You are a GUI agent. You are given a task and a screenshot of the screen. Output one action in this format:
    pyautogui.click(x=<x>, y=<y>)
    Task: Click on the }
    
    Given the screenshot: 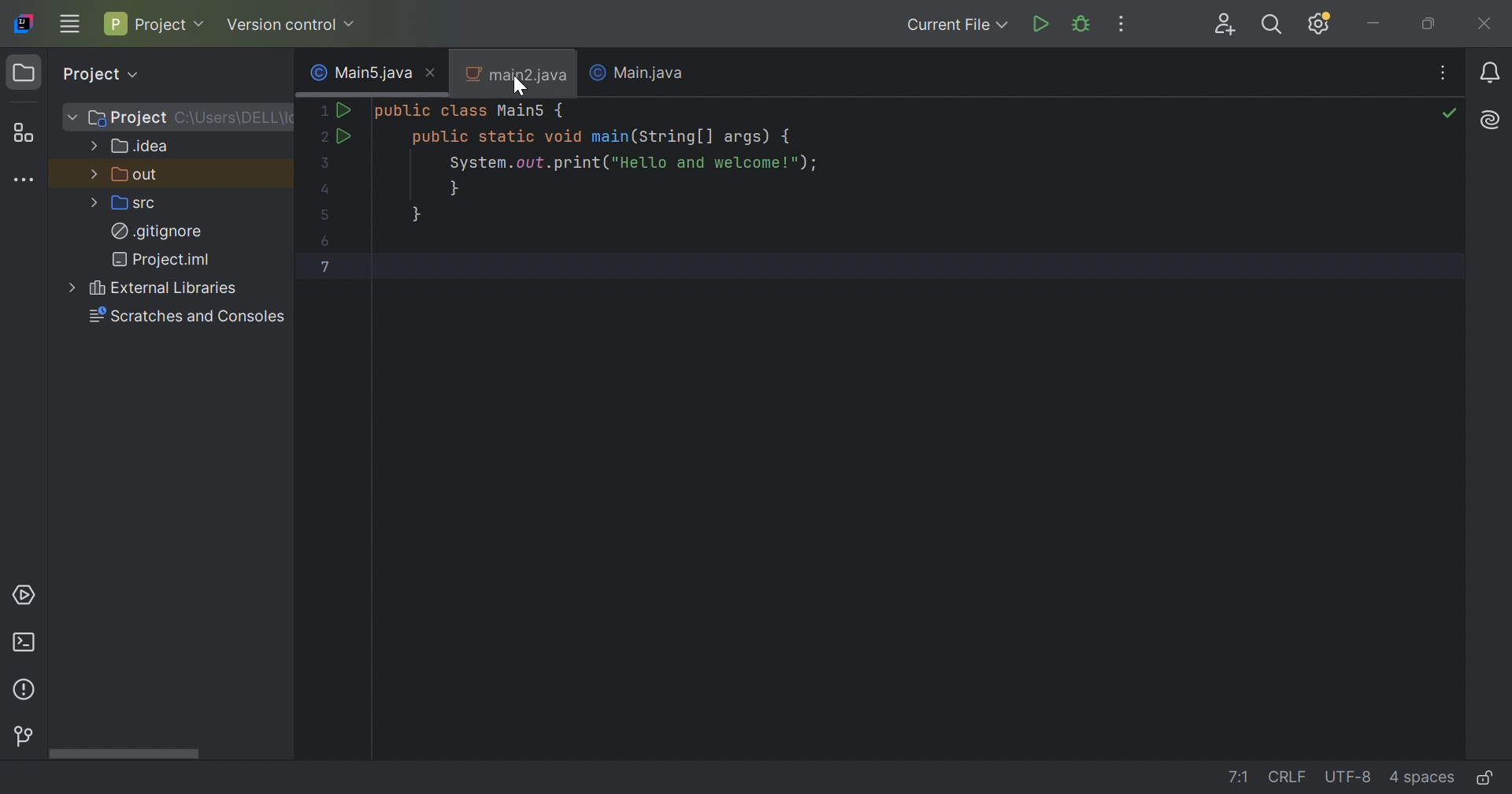 What is the action you would take?
    pyautogui.click(x=418, y=214)
    